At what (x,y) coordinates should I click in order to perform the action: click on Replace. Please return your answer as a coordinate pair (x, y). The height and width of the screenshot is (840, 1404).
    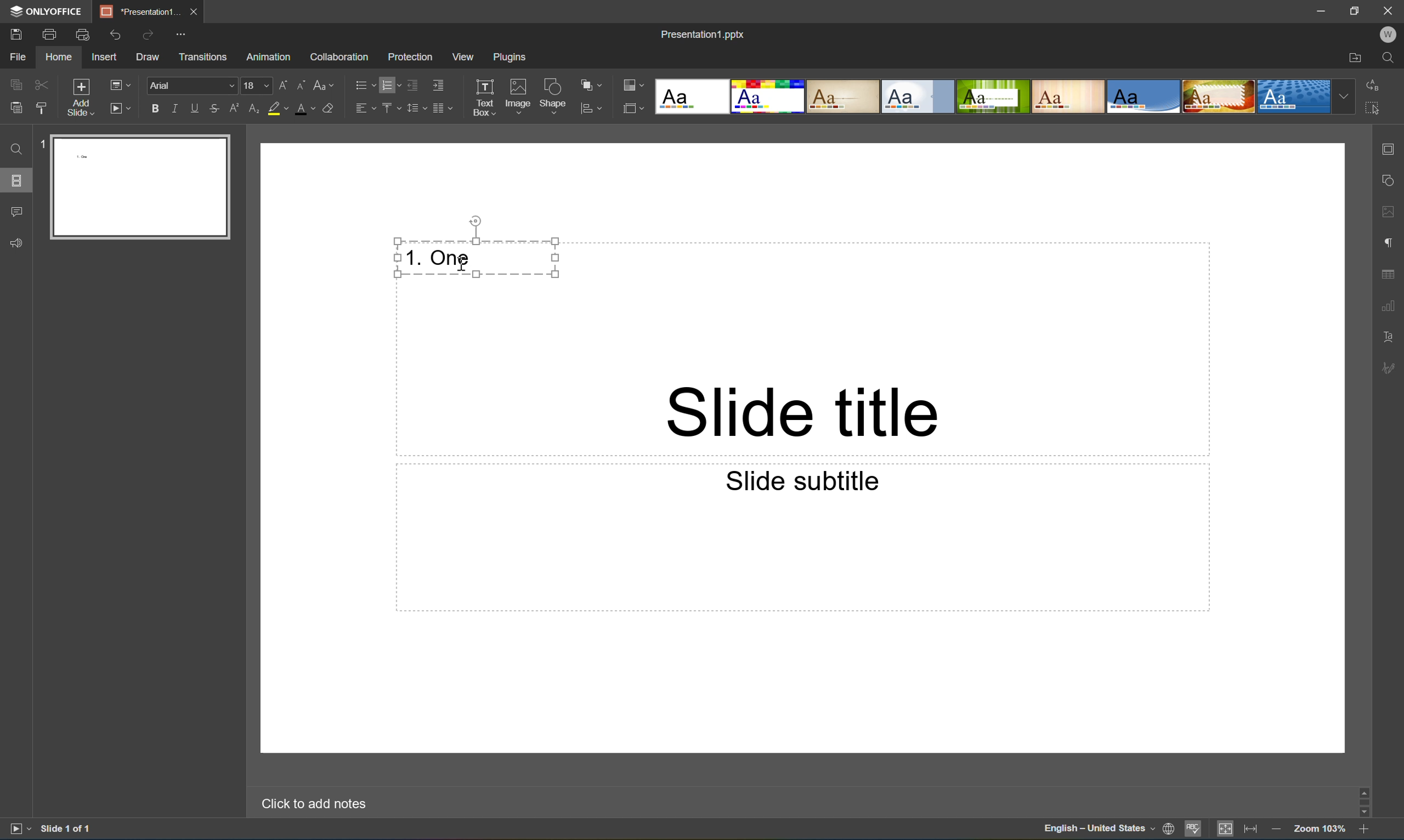
    Looking at the image, I should click on (1375, 84).